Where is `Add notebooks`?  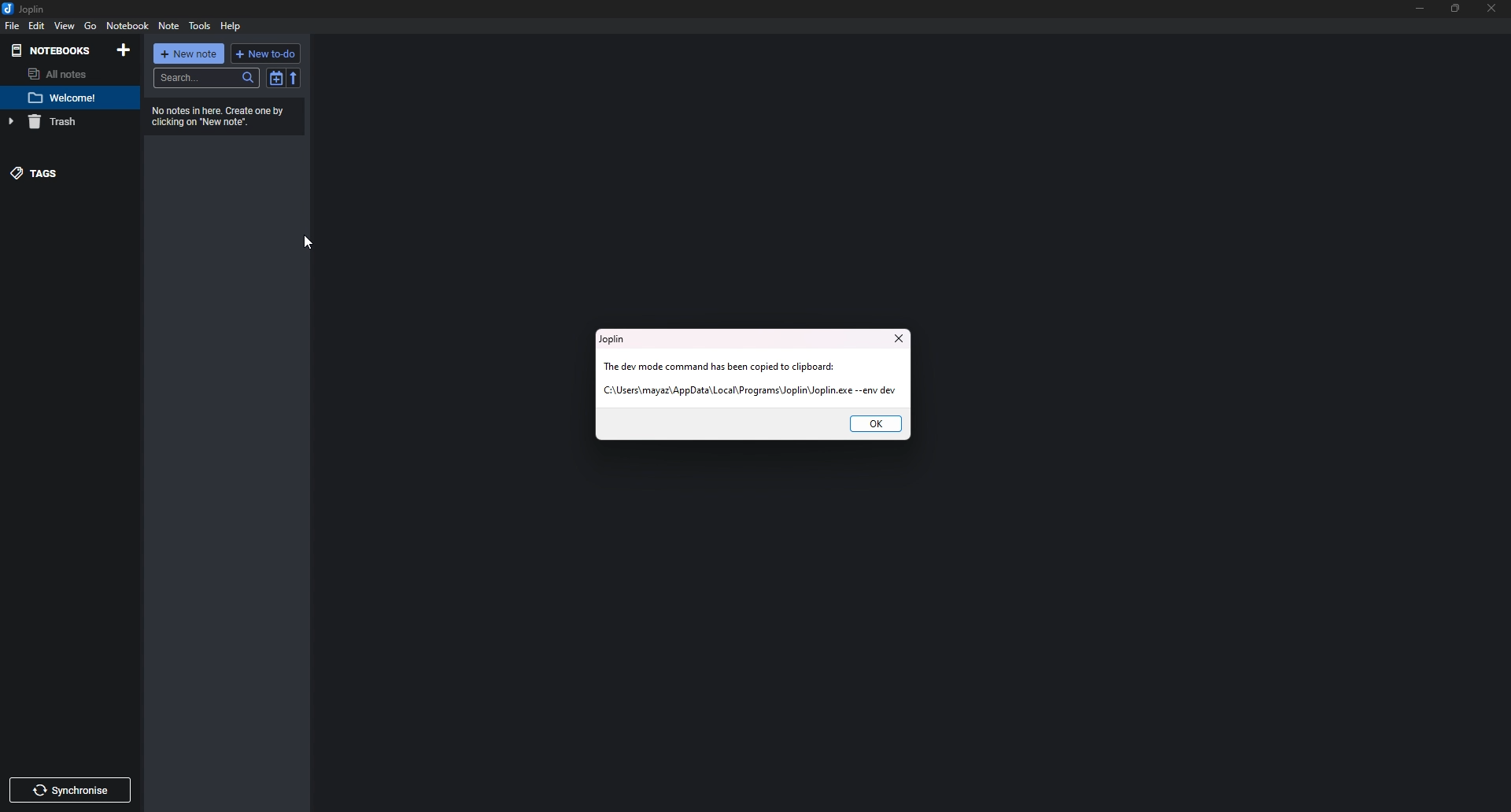 Add notebooks is located at coordinates (124, 50).